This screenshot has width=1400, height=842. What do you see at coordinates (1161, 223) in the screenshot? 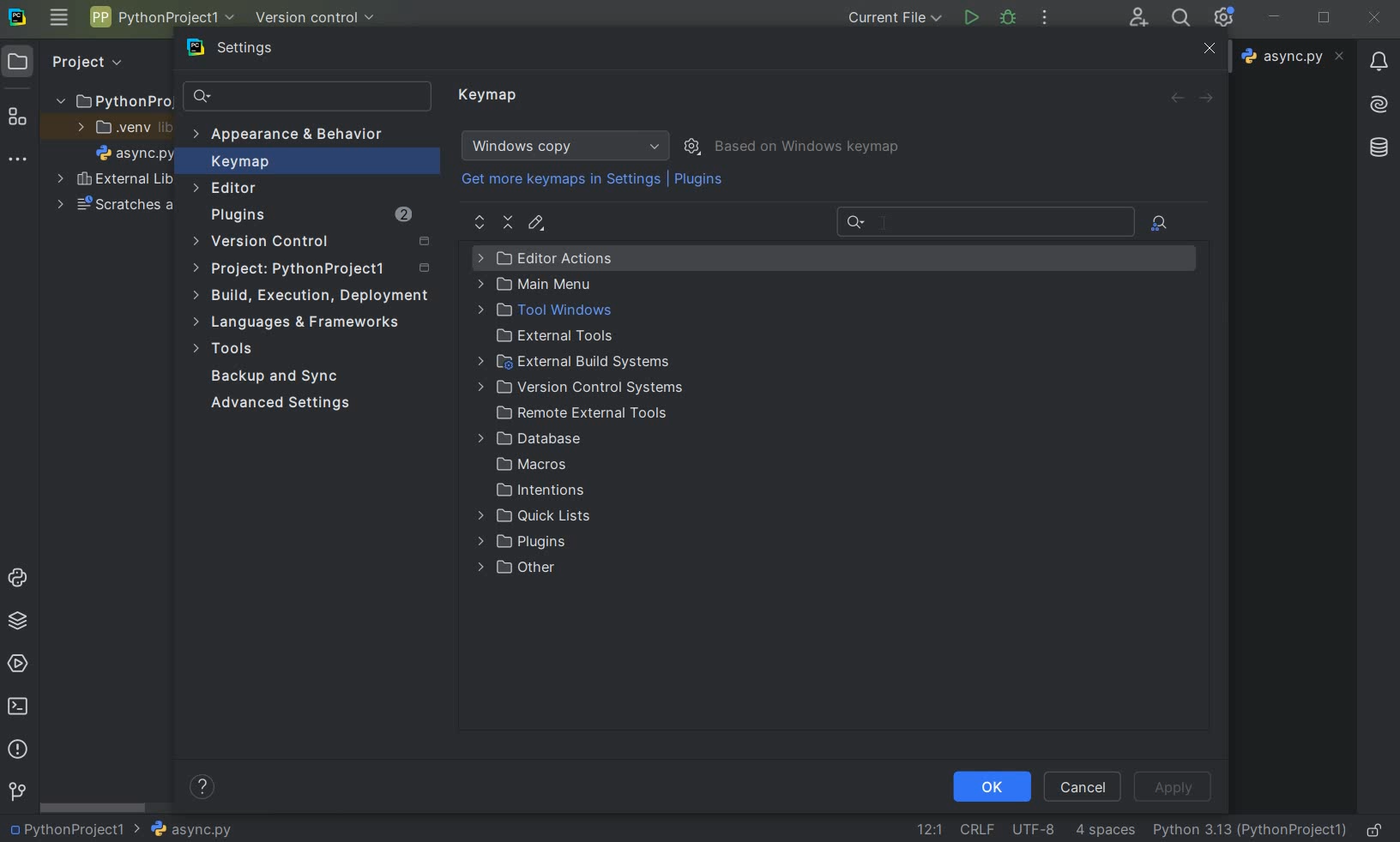
I see `file actions by shortcuts` at bounding box center [1161, 223].